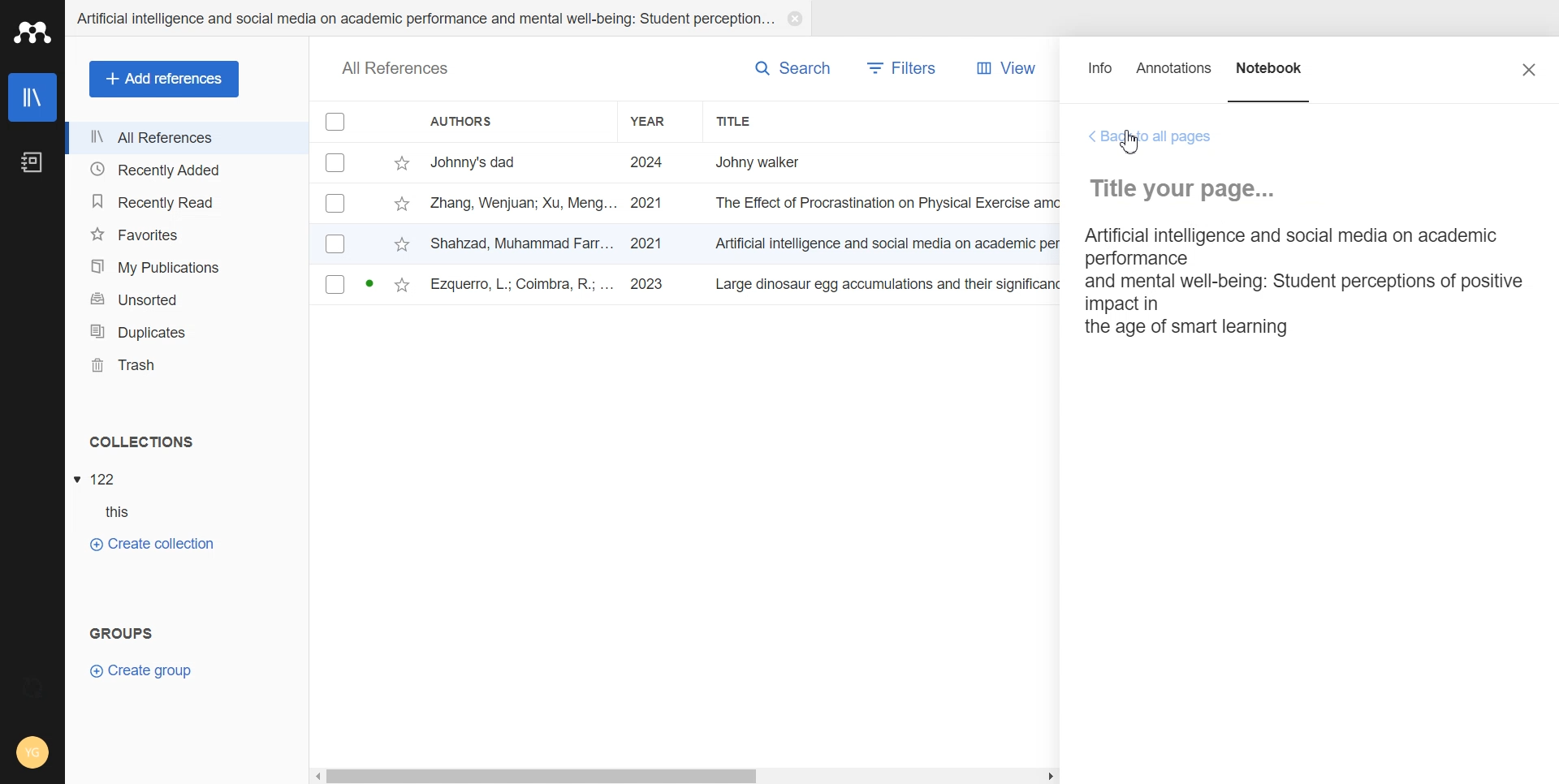 The image size is (1559, 784). What do you see at coordinates (32, 754) in the screenshot?
I see `Account` at bounding box center [32, 754].